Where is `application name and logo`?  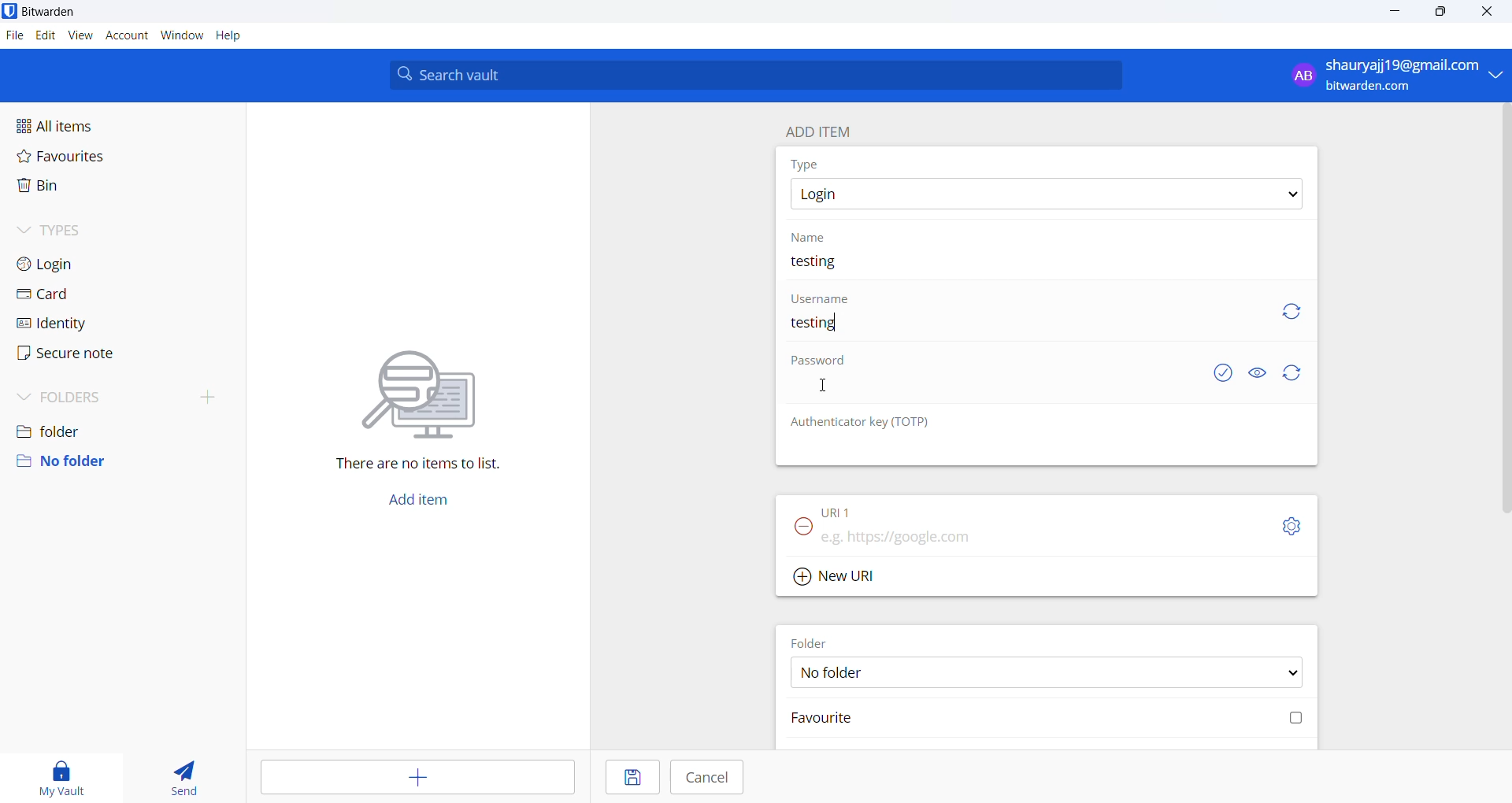 application name and logo is located at coordinates (58, 13).